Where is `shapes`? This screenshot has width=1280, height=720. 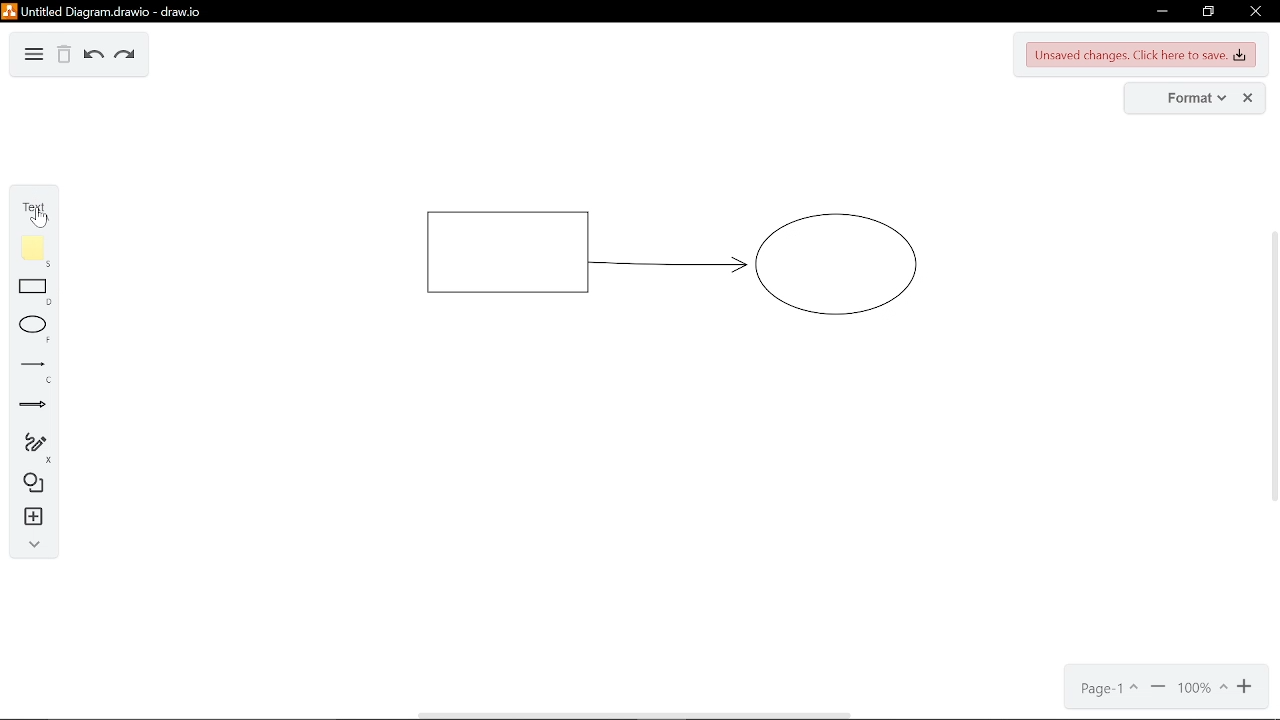 shapes is located at coordinates (34, 484).